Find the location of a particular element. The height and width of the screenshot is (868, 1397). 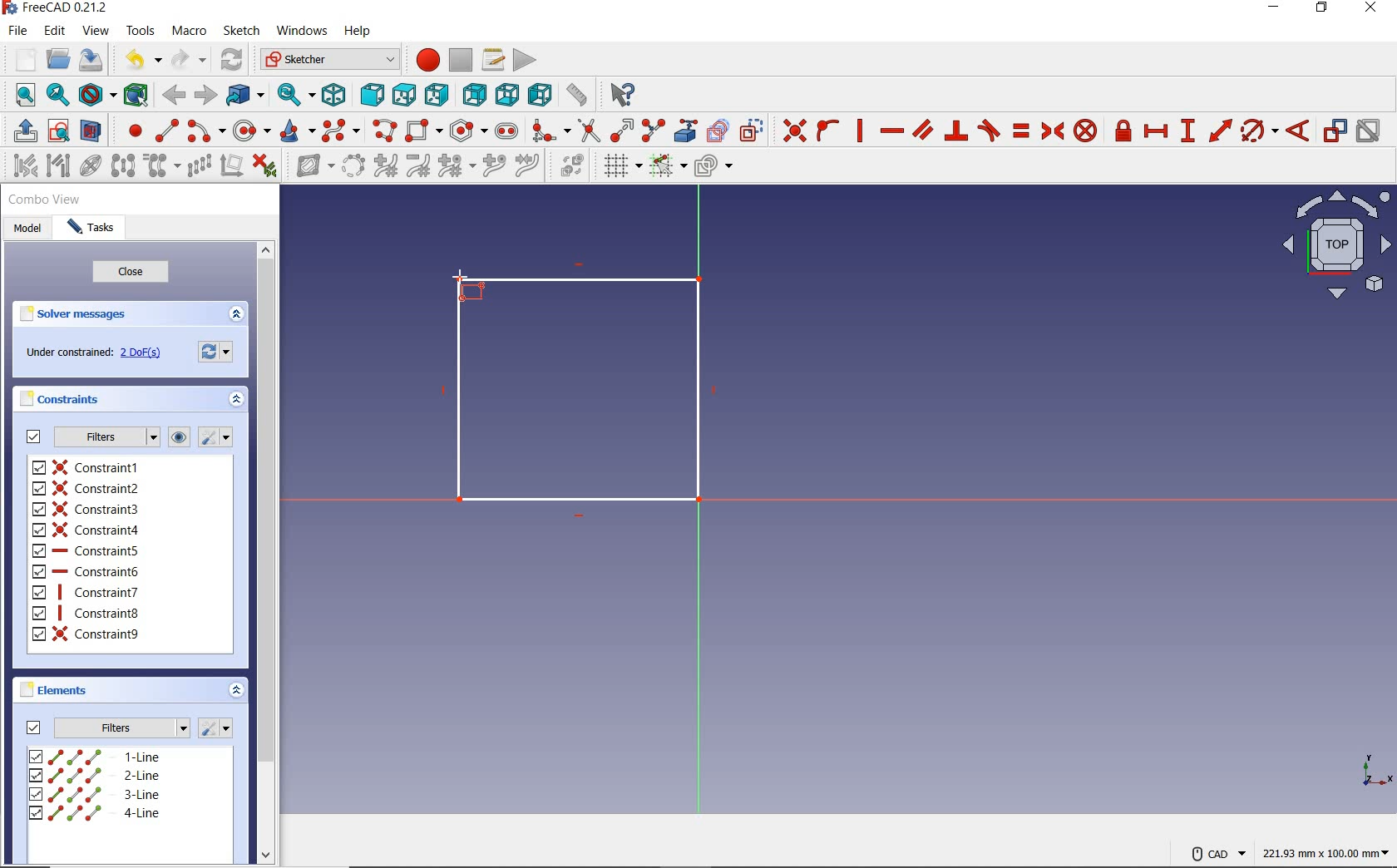

left is located at coordinates (540, 96).